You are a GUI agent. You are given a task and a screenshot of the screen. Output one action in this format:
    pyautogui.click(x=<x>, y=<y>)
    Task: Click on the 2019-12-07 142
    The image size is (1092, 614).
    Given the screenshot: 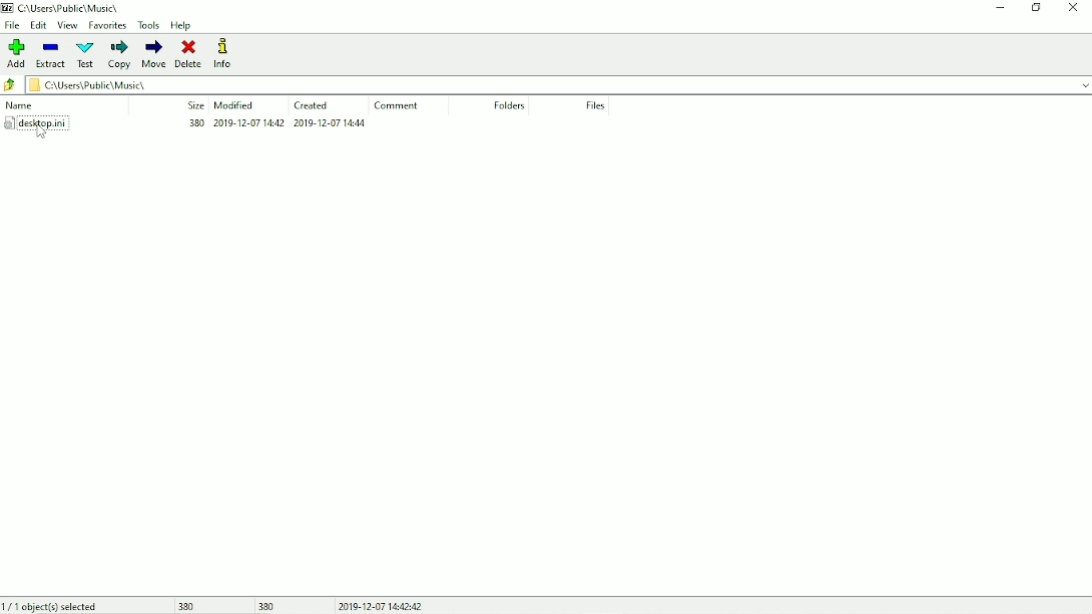 What is the action you would take?
    pyautogui.click(x=248, y=123)
    